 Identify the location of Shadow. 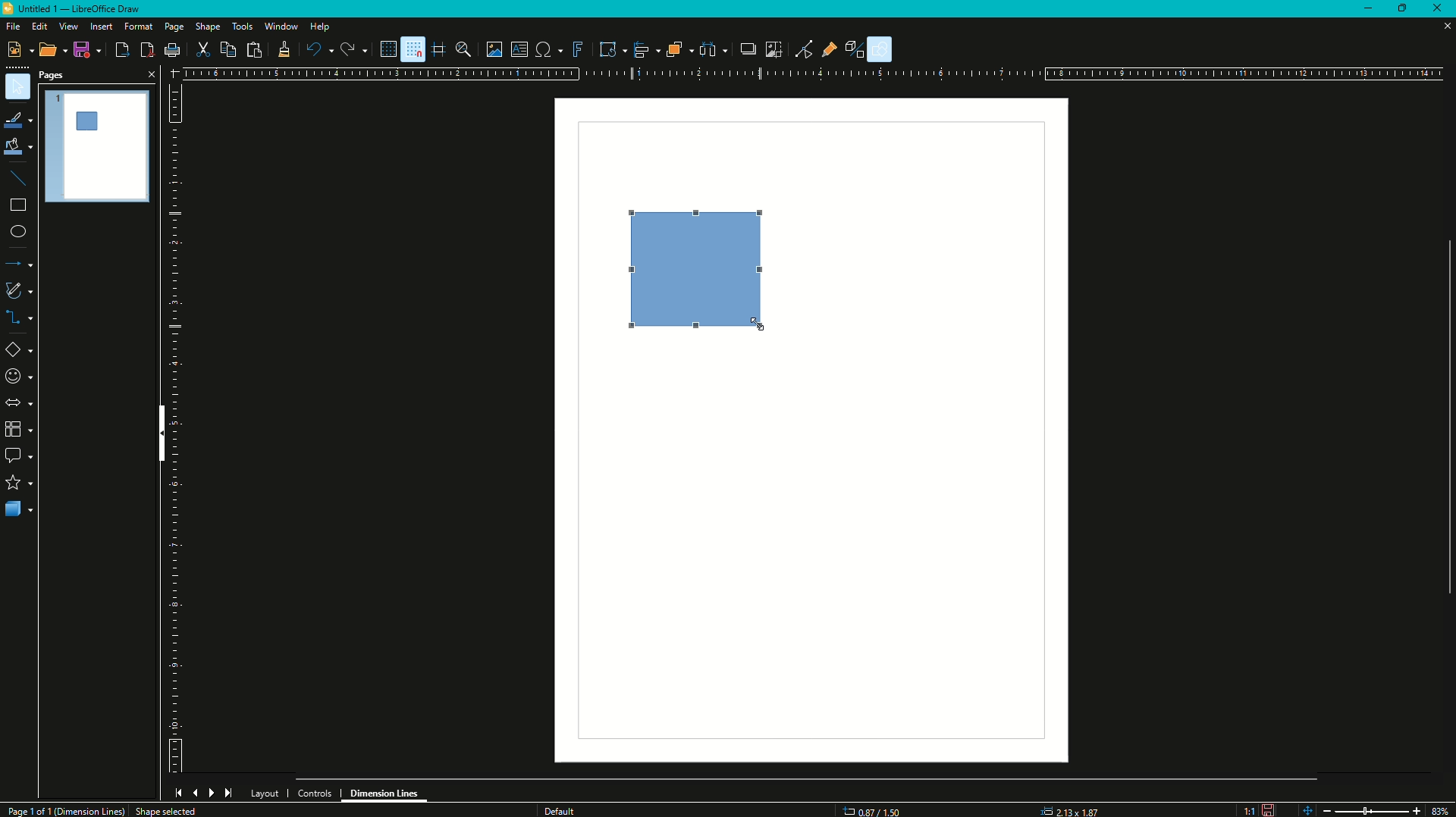
(744, 49).